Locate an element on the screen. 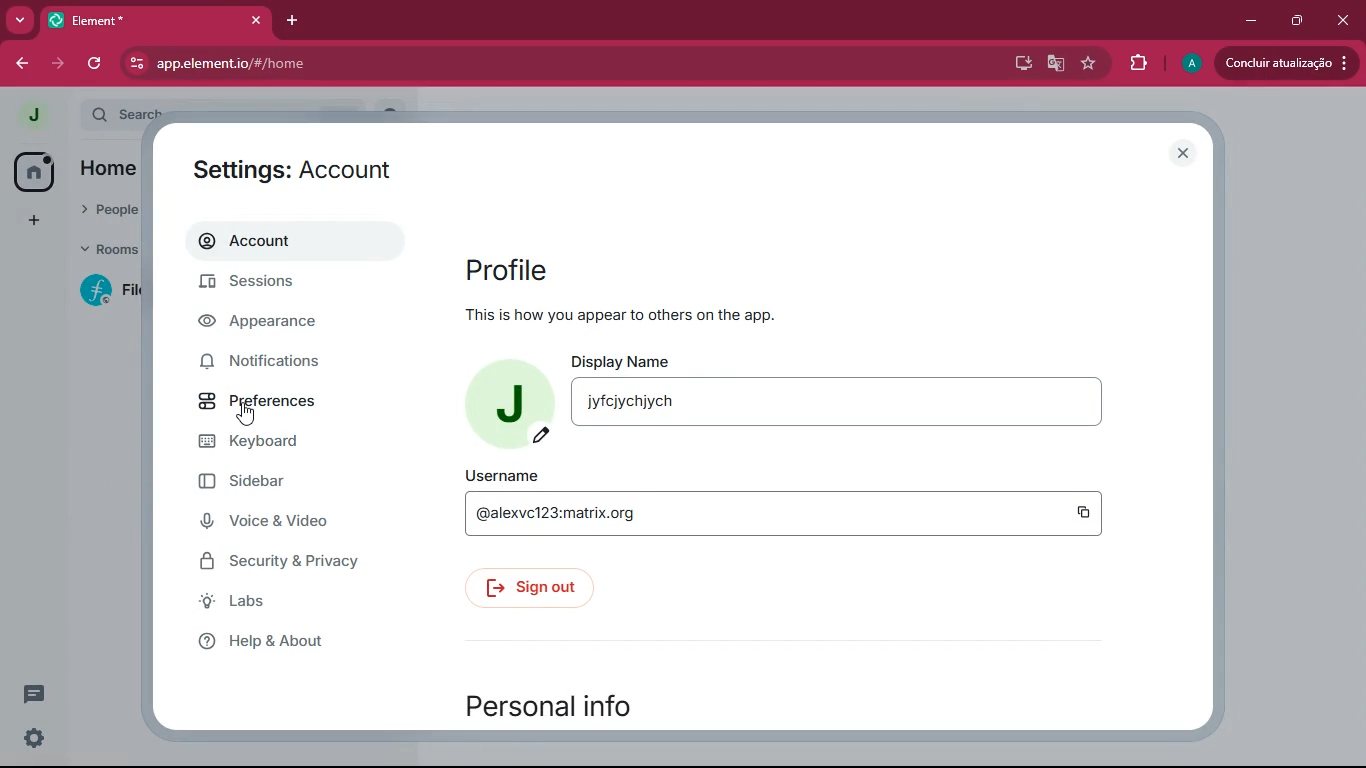 This screenshot has width=1366, height=768. voice is located at coordinates (284, 524).